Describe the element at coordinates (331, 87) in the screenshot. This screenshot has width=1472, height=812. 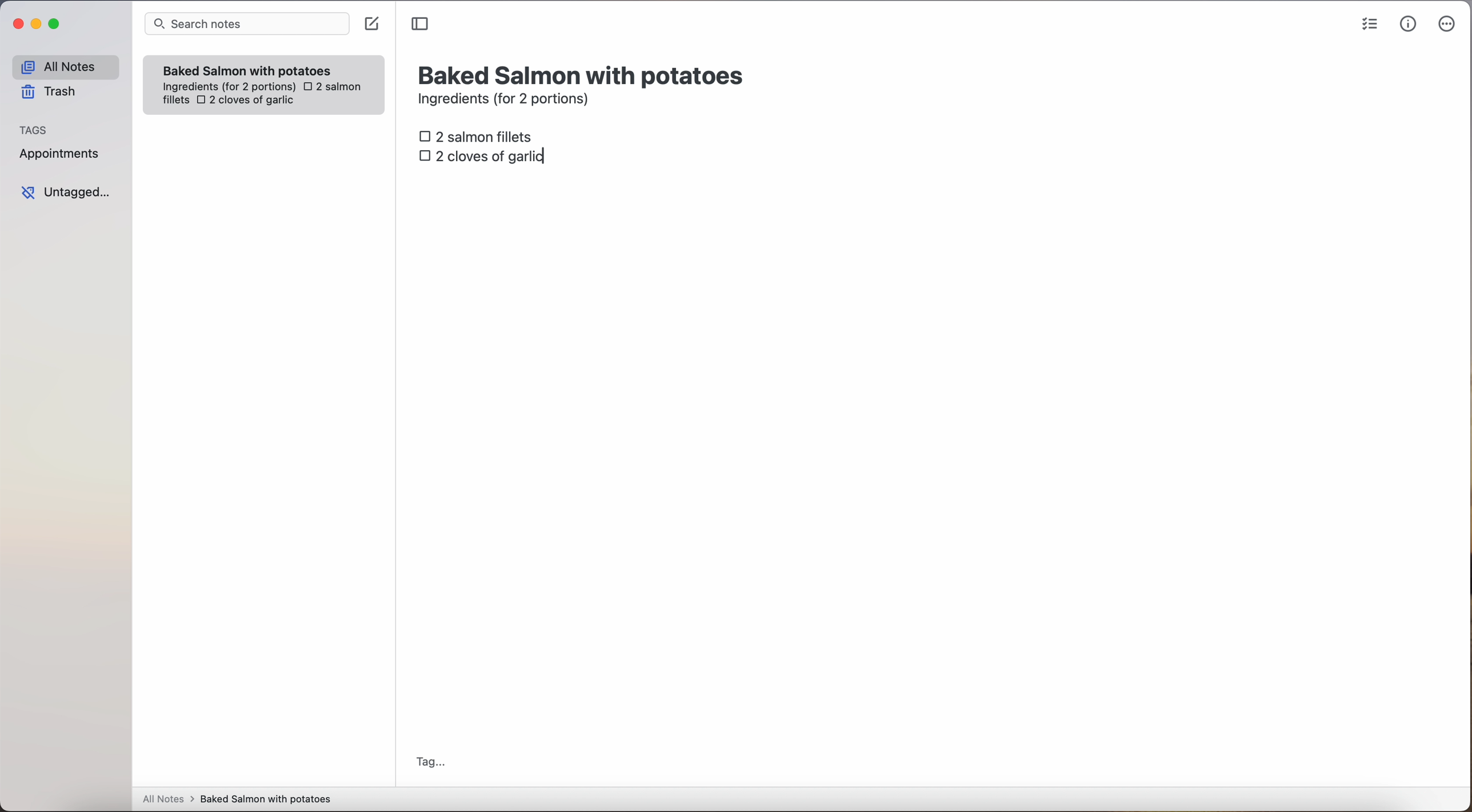
I see `2 salmon` at that location.